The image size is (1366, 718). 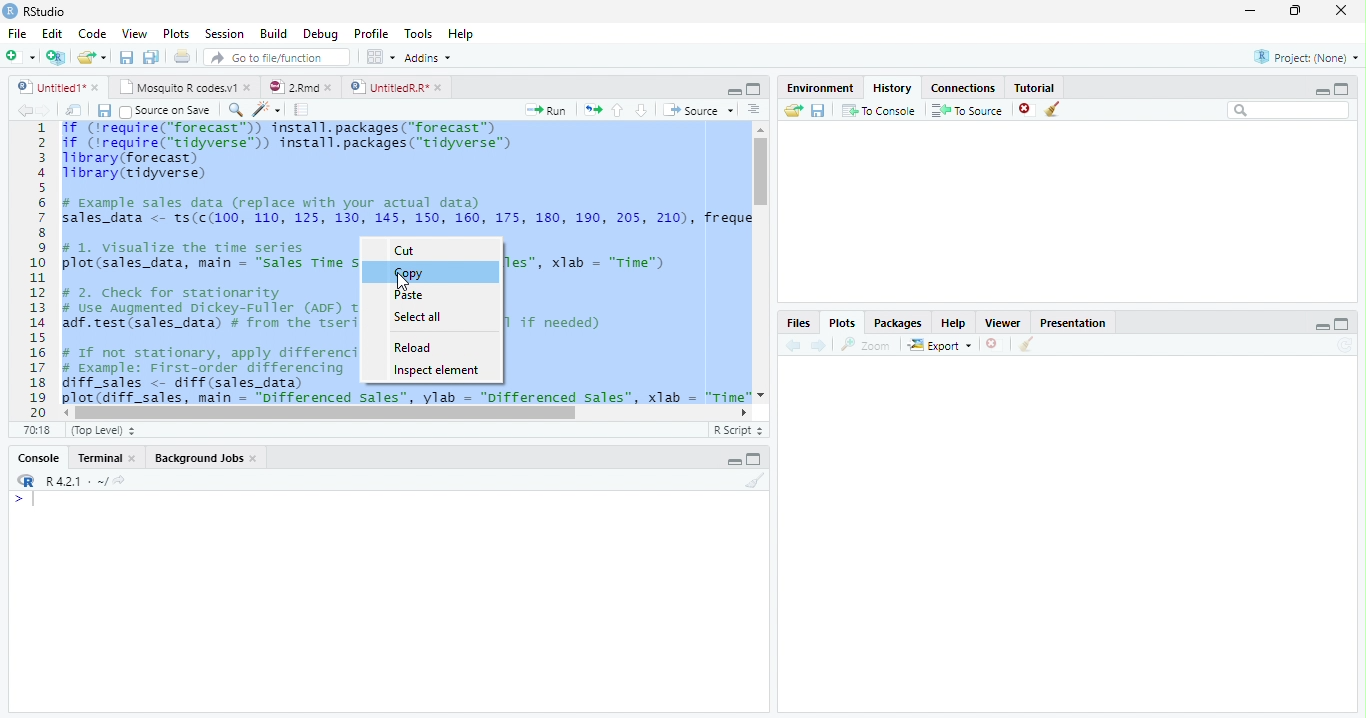 I want to click on RStudio, so click(x=39, y=12).